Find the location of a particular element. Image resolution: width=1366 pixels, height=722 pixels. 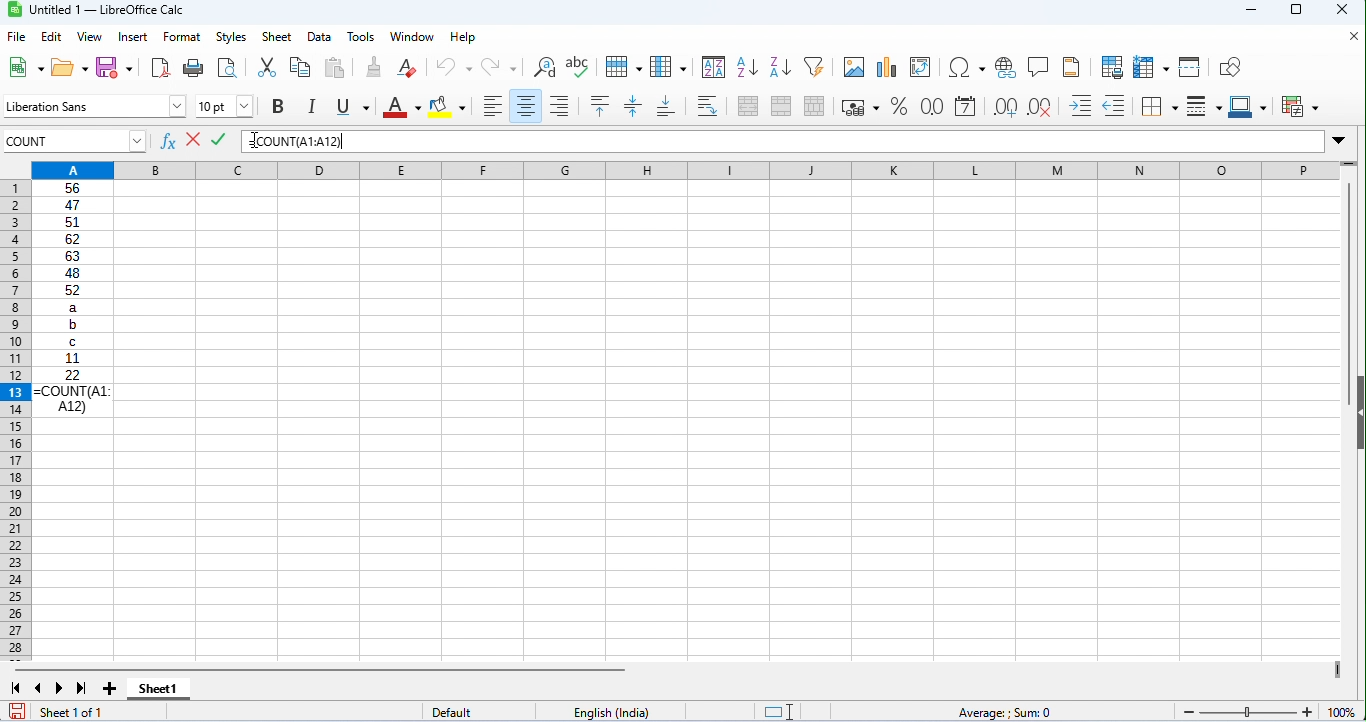

format as currency is located at coordinates (860, 107).